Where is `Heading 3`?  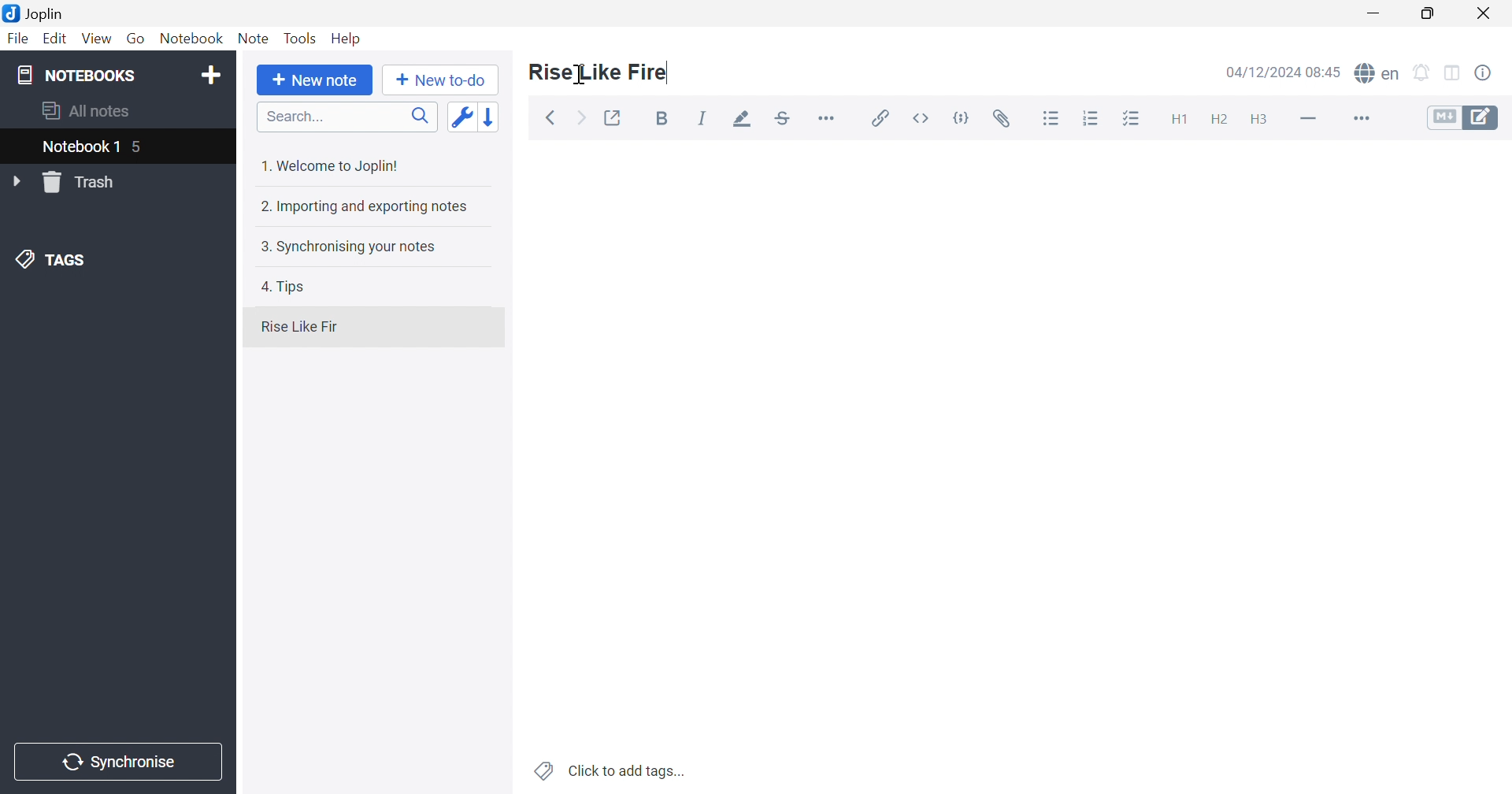 Heading 3 is located at coordinates (1259, 117).